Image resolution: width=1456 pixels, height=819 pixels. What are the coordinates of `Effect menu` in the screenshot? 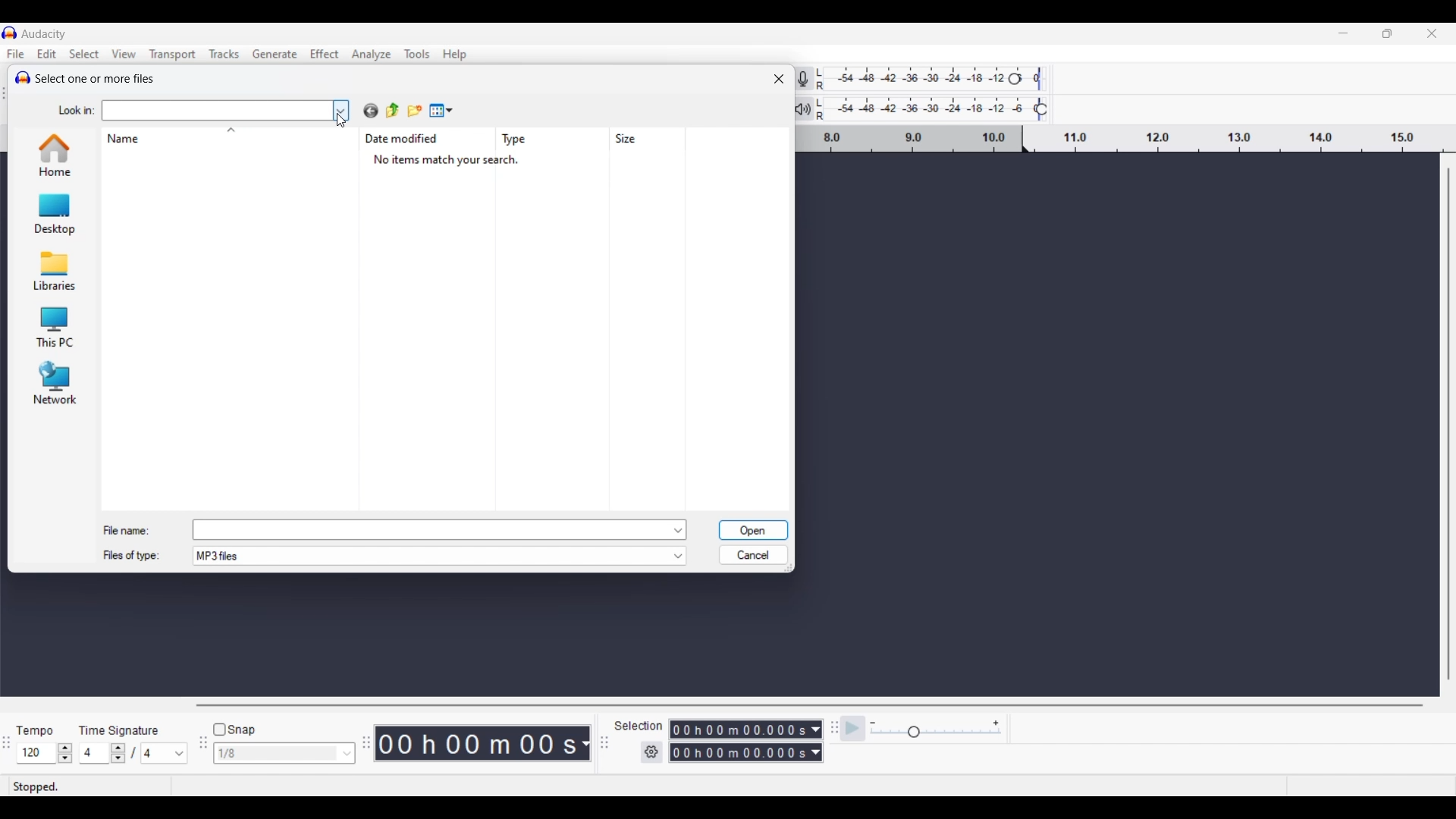 It's located at (325, 54).